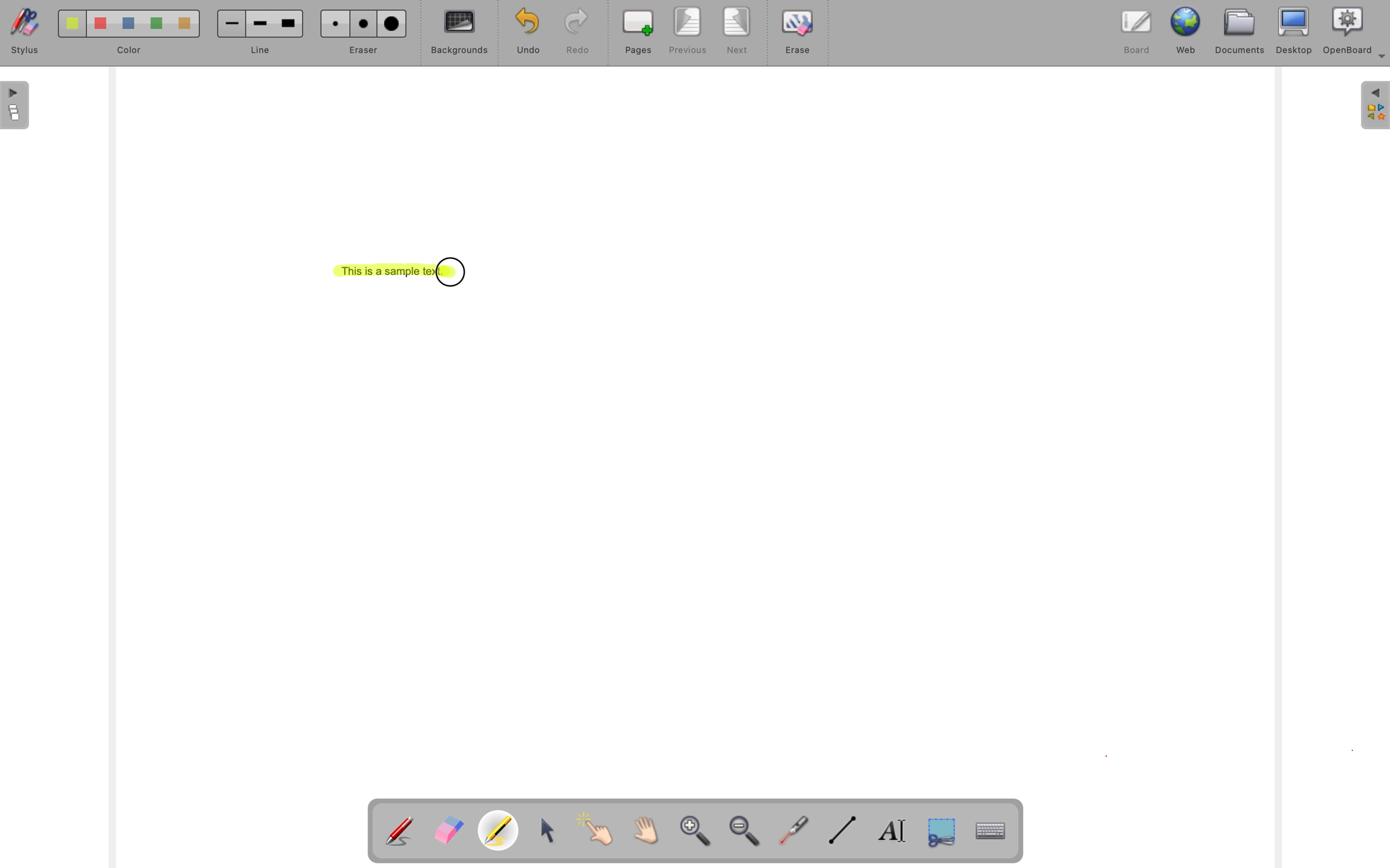 This screenshot has height=868, width=1390. Describe the element at coordinates (16, 106) in the screenshot. I see `The flatplan (left panel)` at that location.